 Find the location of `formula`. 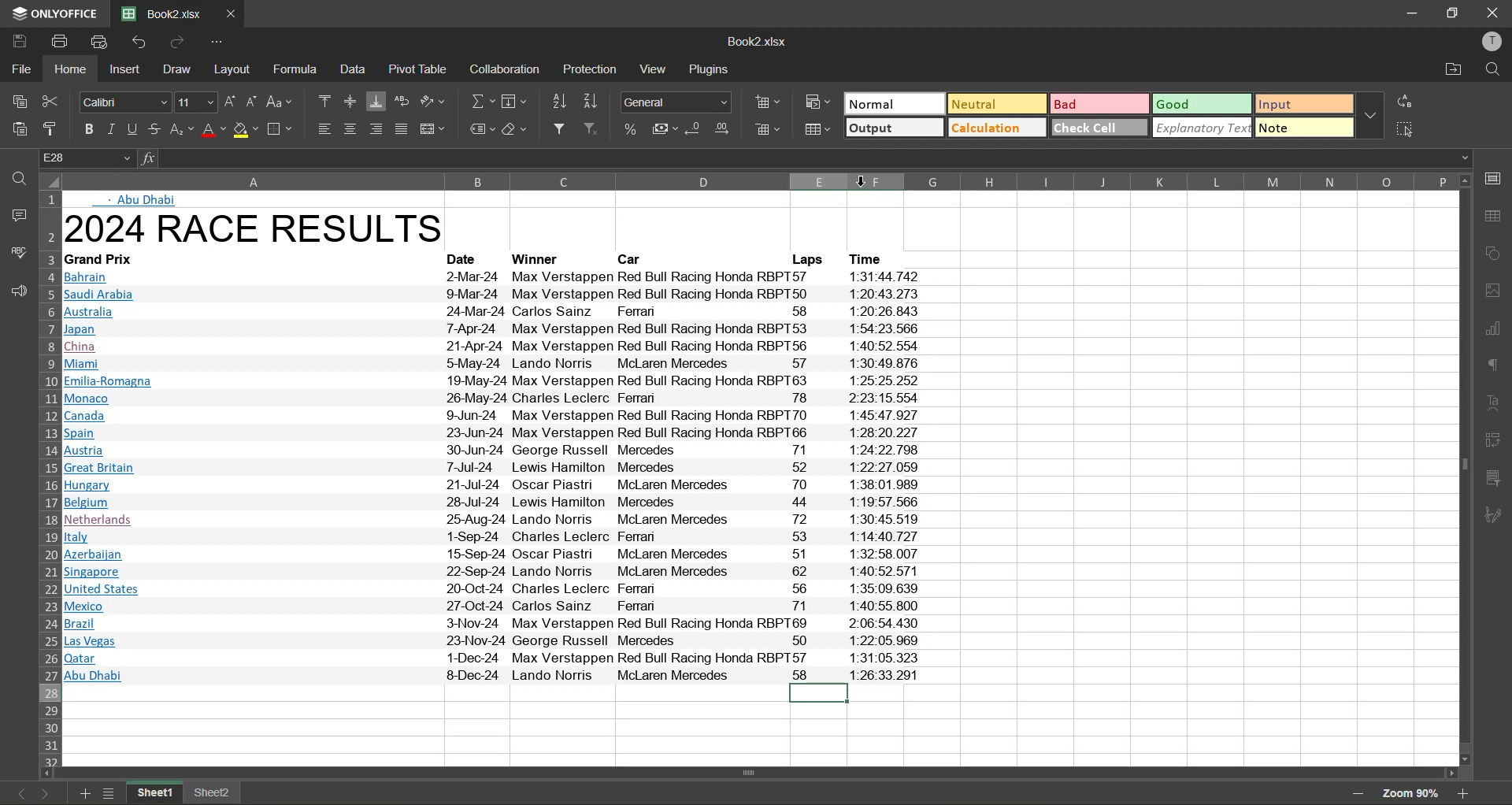

formula is located at coordinates (297, 70).